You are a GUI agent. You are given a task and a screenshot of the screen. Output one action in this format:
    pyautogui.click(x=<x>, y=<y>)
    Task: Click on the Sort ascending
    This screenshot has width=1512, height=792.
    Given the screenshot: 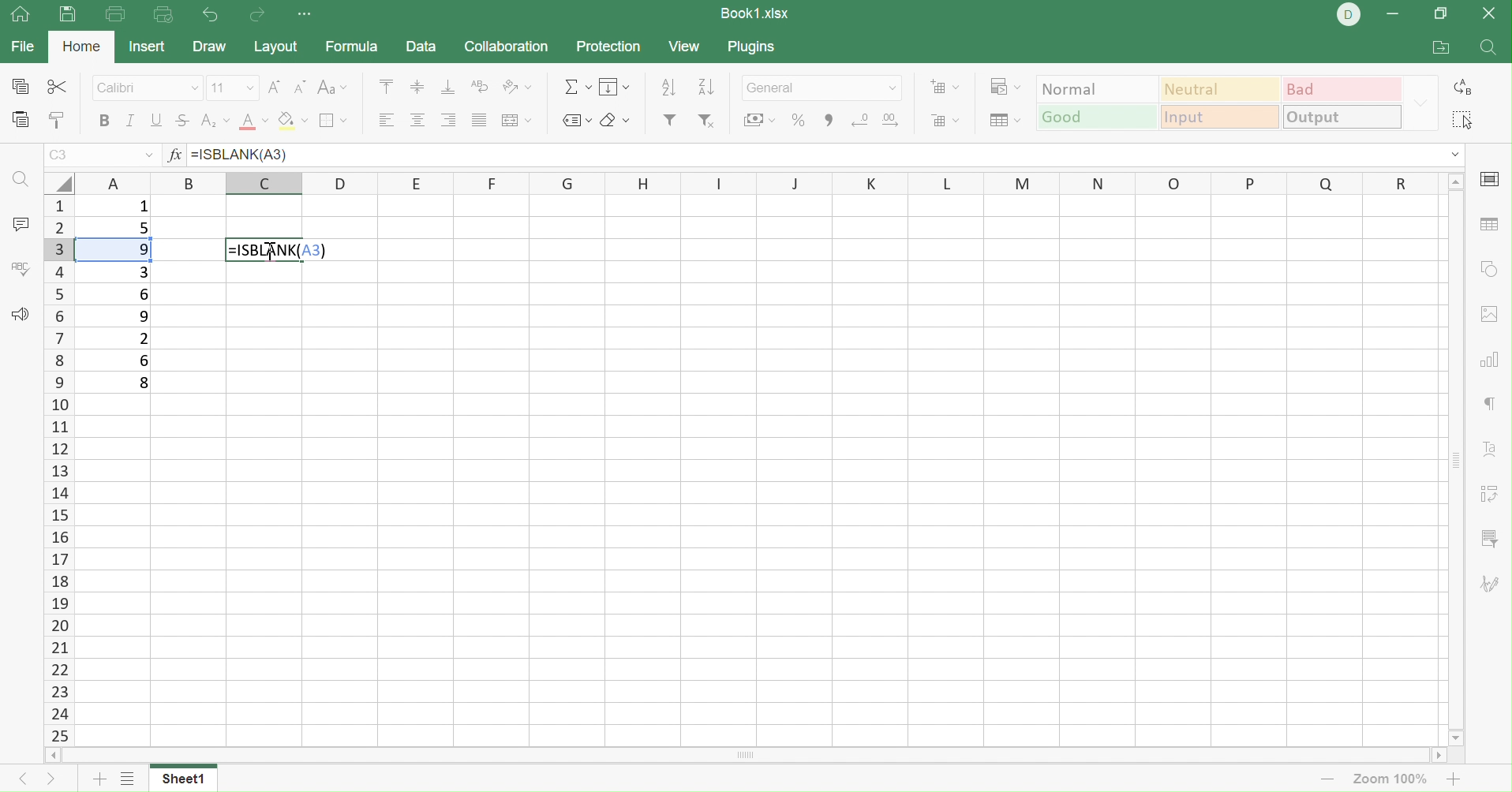 What is the action you would take?
    pyautogui.click(x=707, y=84)
    